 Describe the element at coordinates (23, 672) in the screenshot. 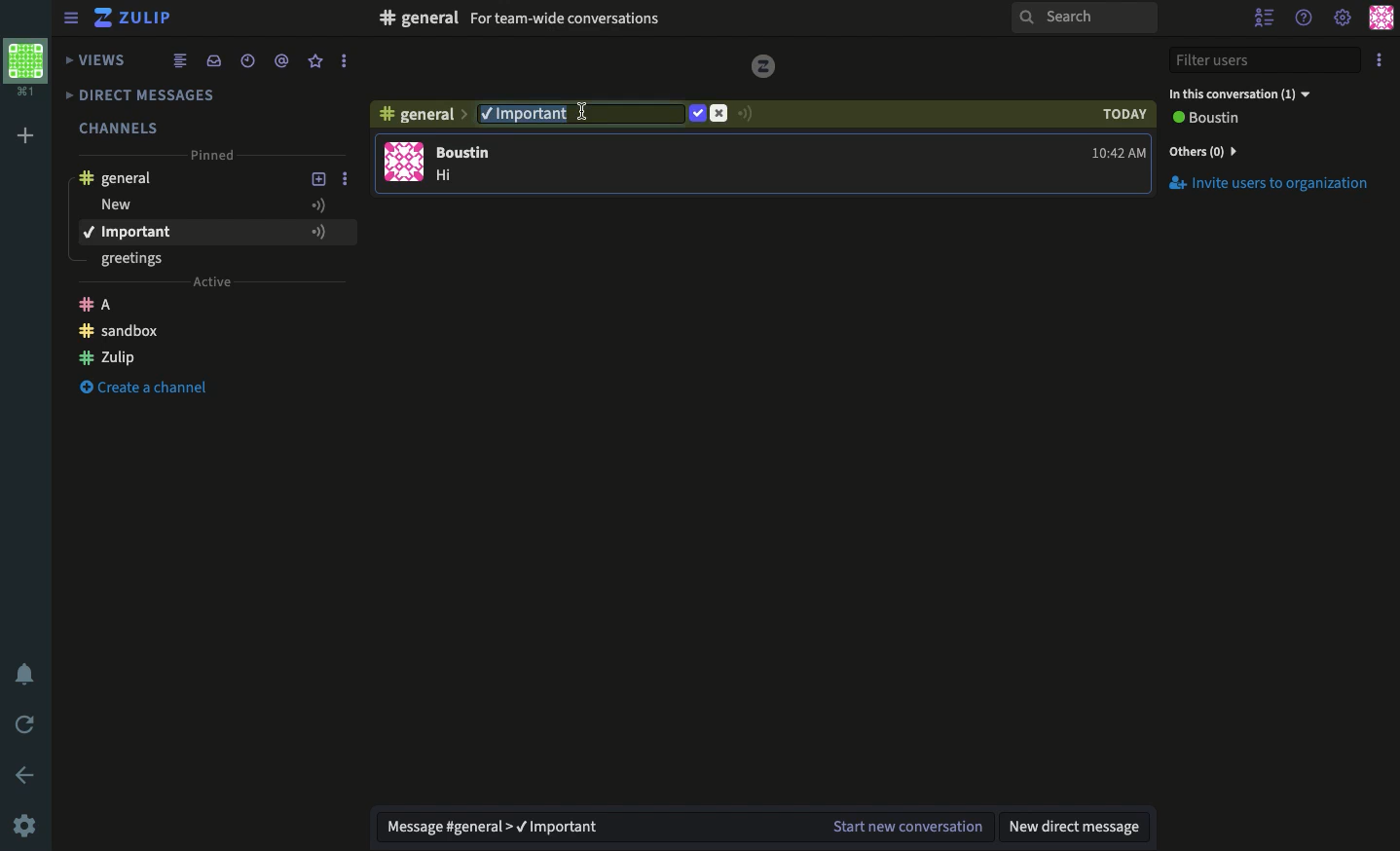

I see `Notification` at that location.